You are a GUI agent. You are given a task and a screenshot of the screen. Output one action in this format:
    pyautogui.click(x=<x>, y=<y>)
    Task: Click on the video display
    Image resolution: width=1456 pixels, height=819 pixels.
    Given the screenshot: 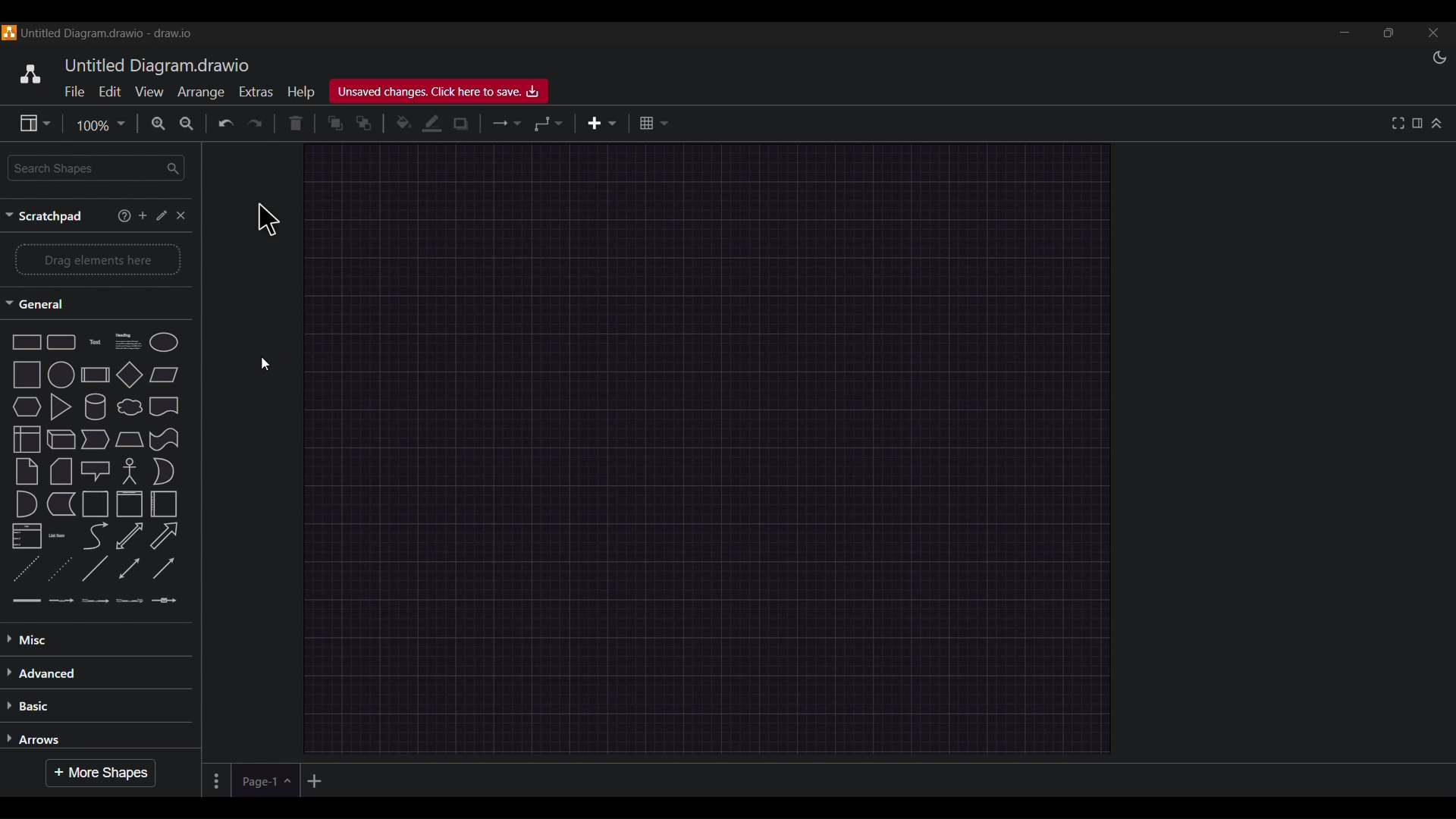 What is the action you would take?
    pyautogui.click(x=728, y=408)
    